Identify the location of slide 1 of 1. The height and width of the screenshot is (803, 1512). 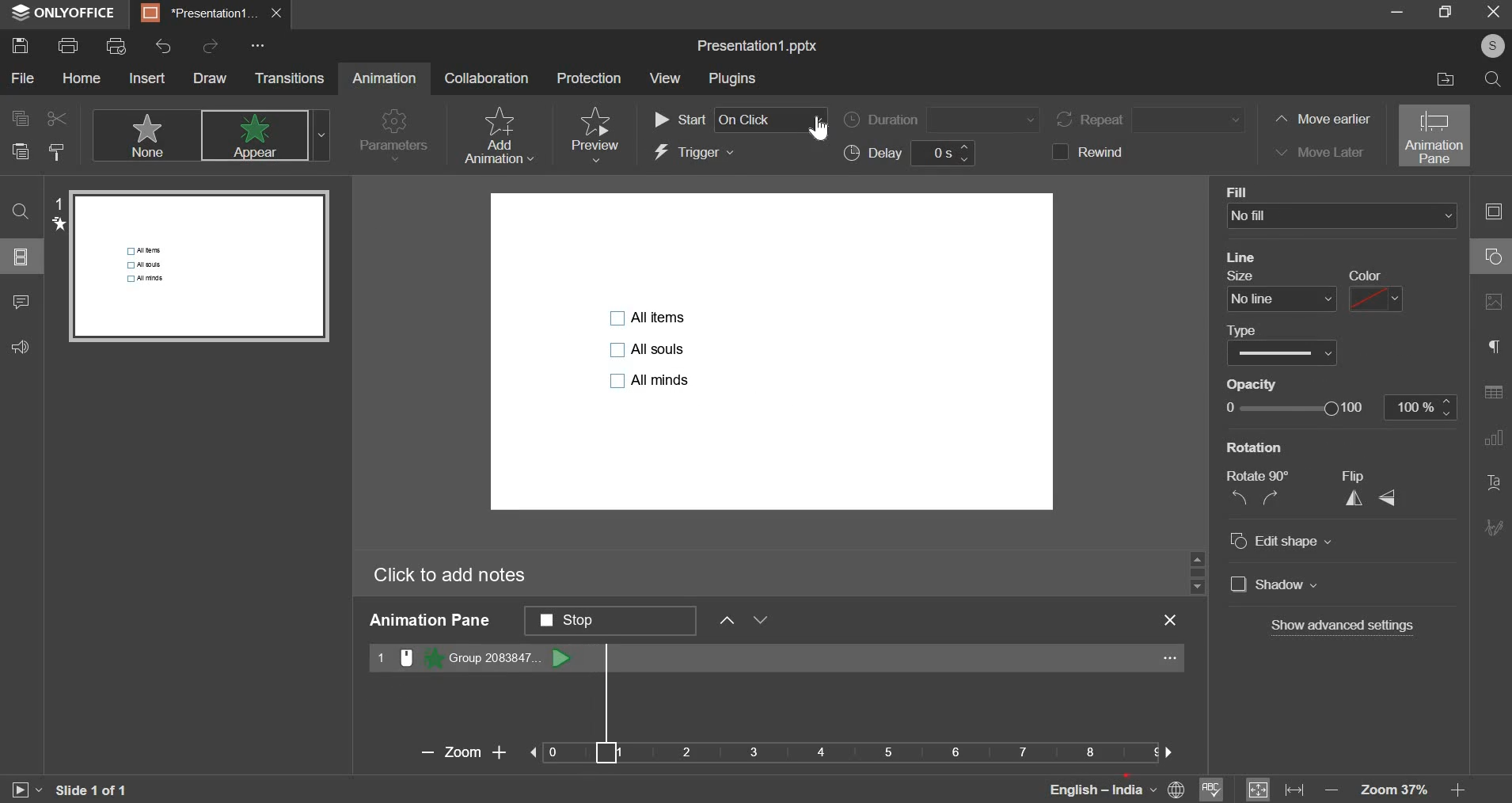
(90, 790).